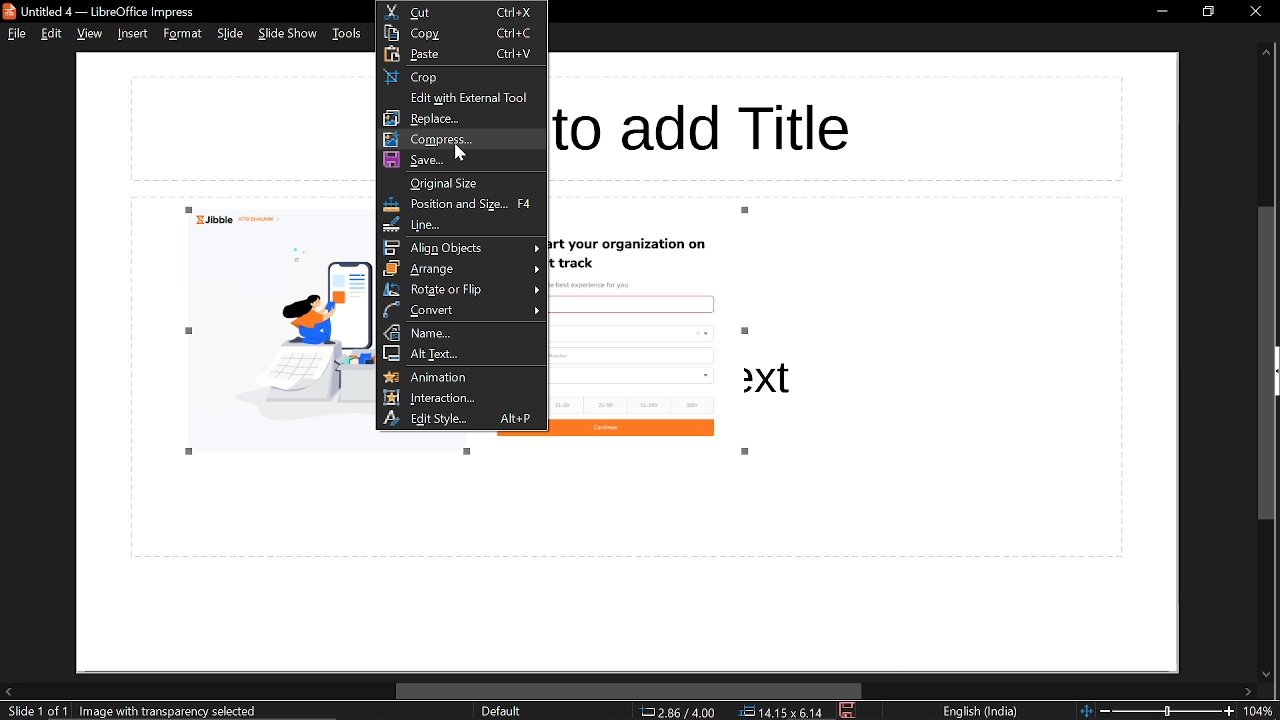 The width and height of the screenshot is (1280, 720). Describe the element at coordinates (462, 77) in the screenshot. I see `crop` at that location.